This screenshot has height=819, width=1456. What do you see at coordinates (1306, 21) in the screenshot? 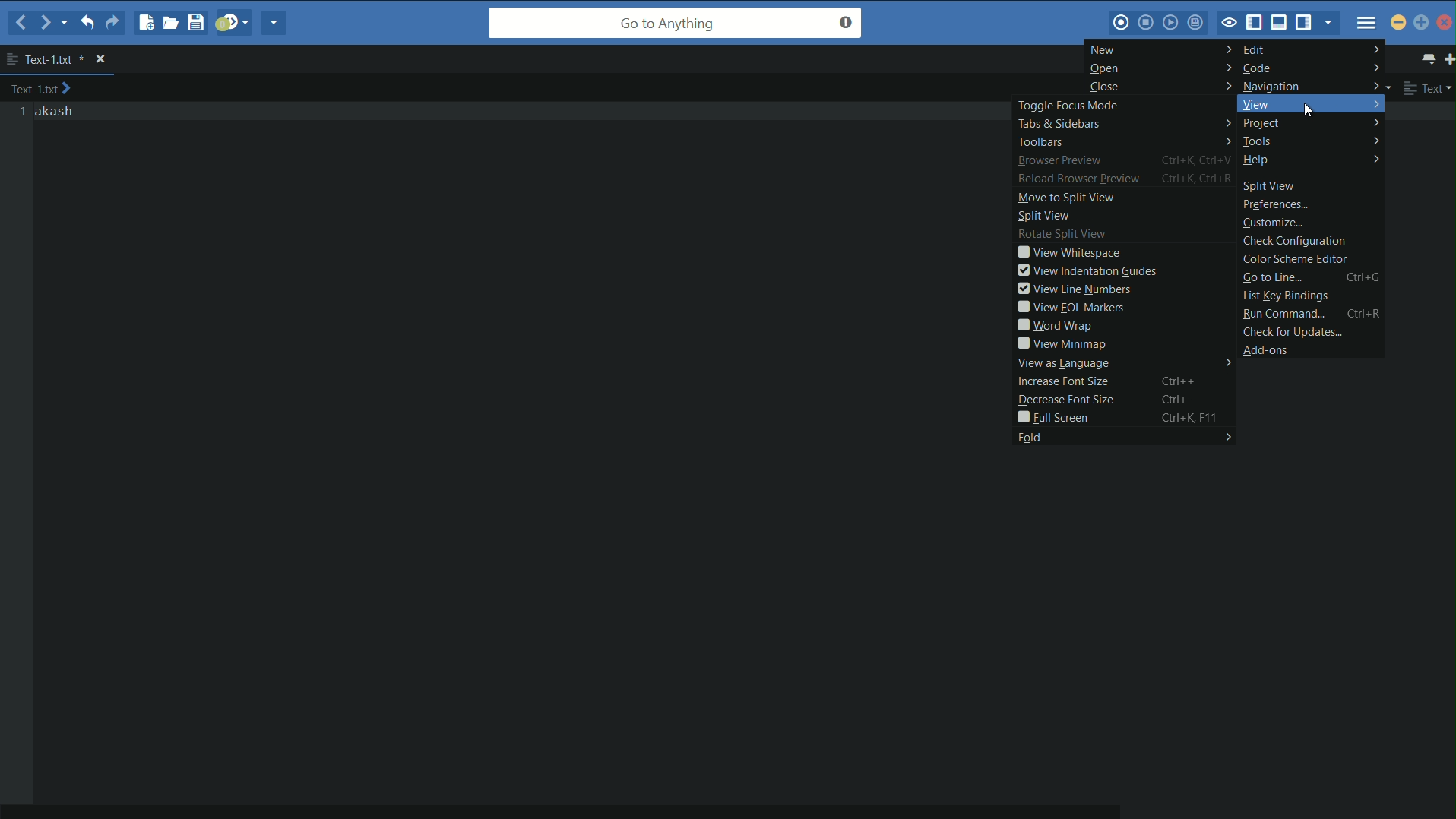
I see `show/hide right panel` at bounding box center [1306, 21].